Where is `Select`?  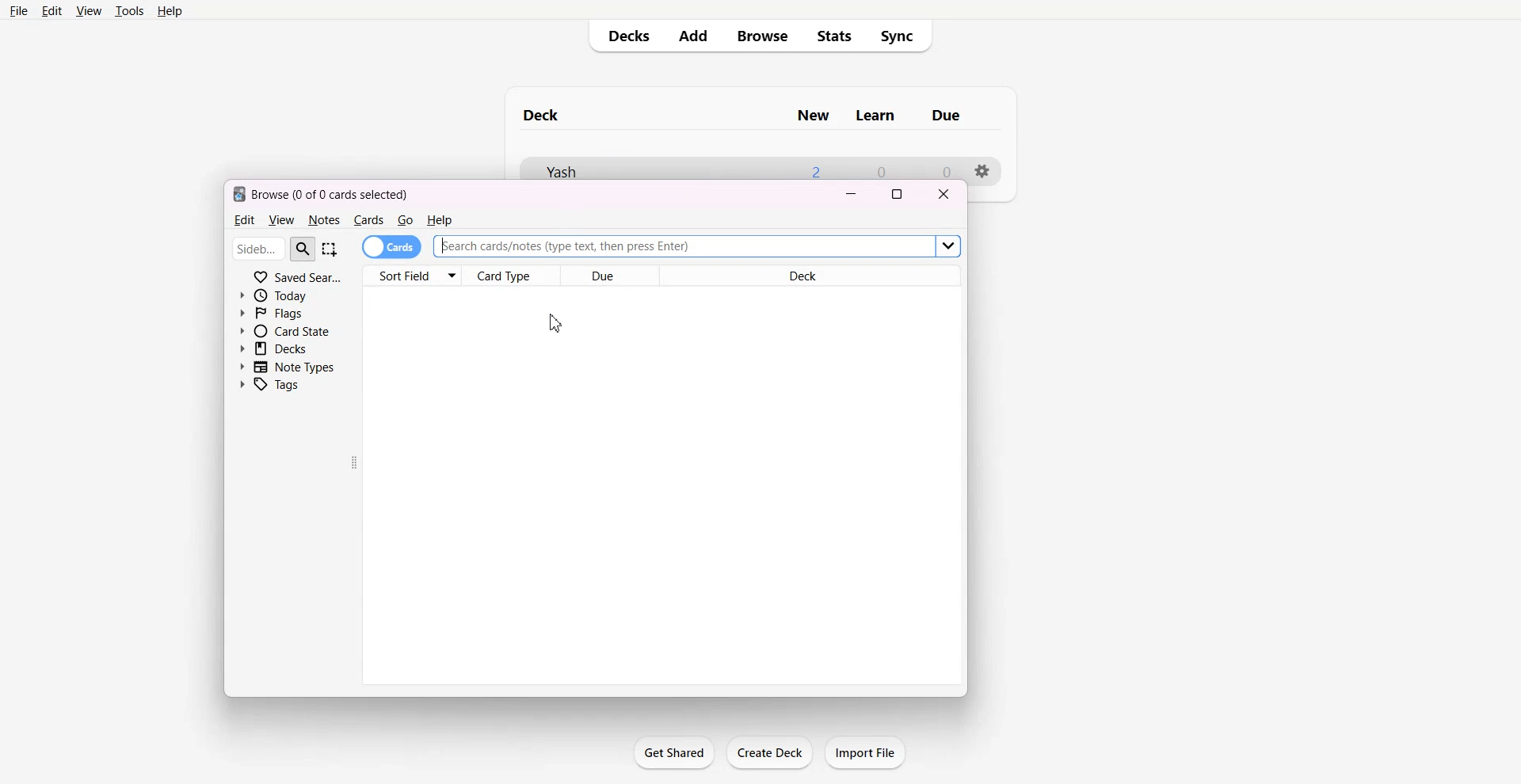
Select is located at coordinates (335, 250).